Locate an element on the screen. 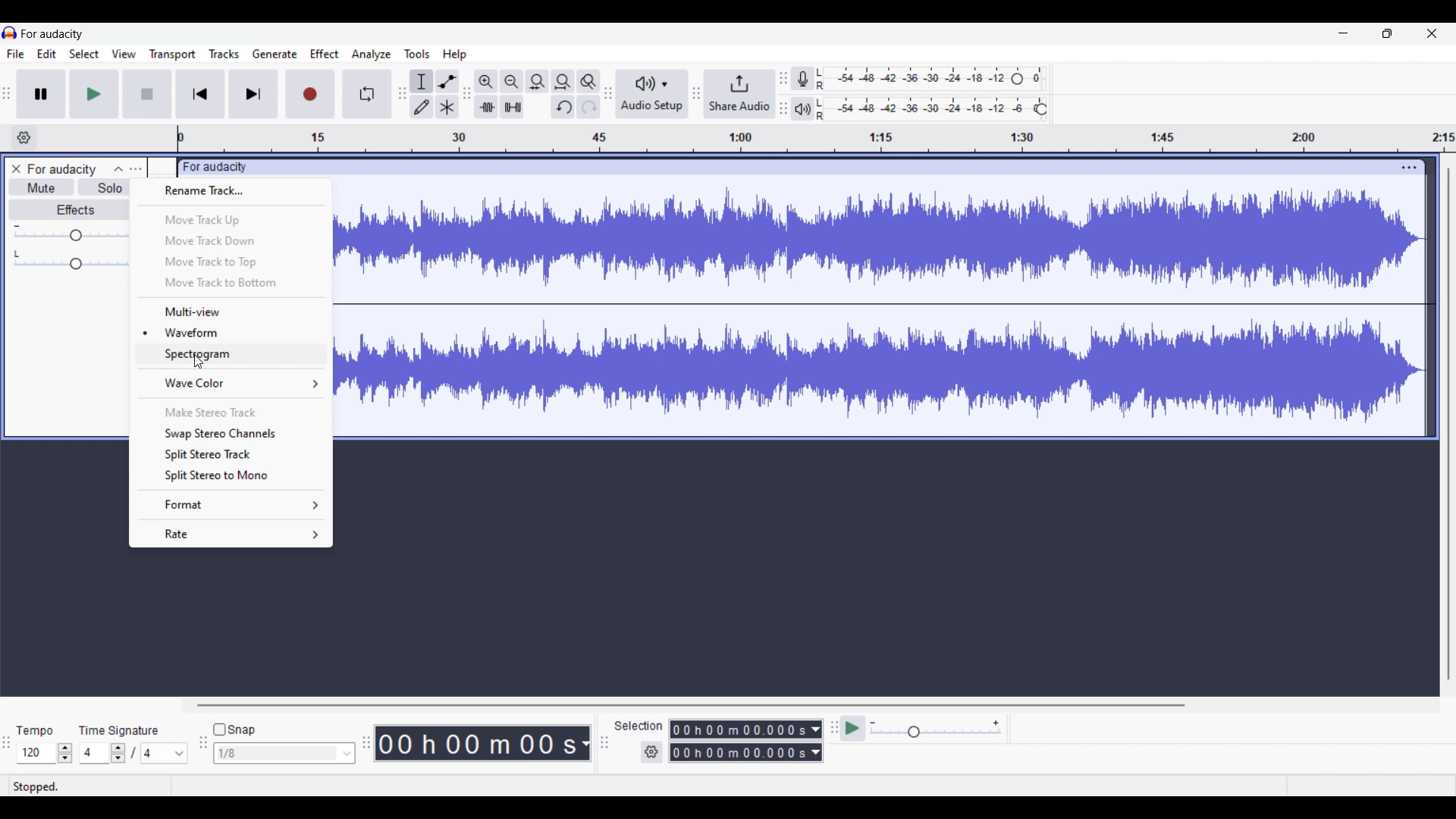 This screenshot has height=819, width=1456. Playback level is located at coordinates (930, 108).